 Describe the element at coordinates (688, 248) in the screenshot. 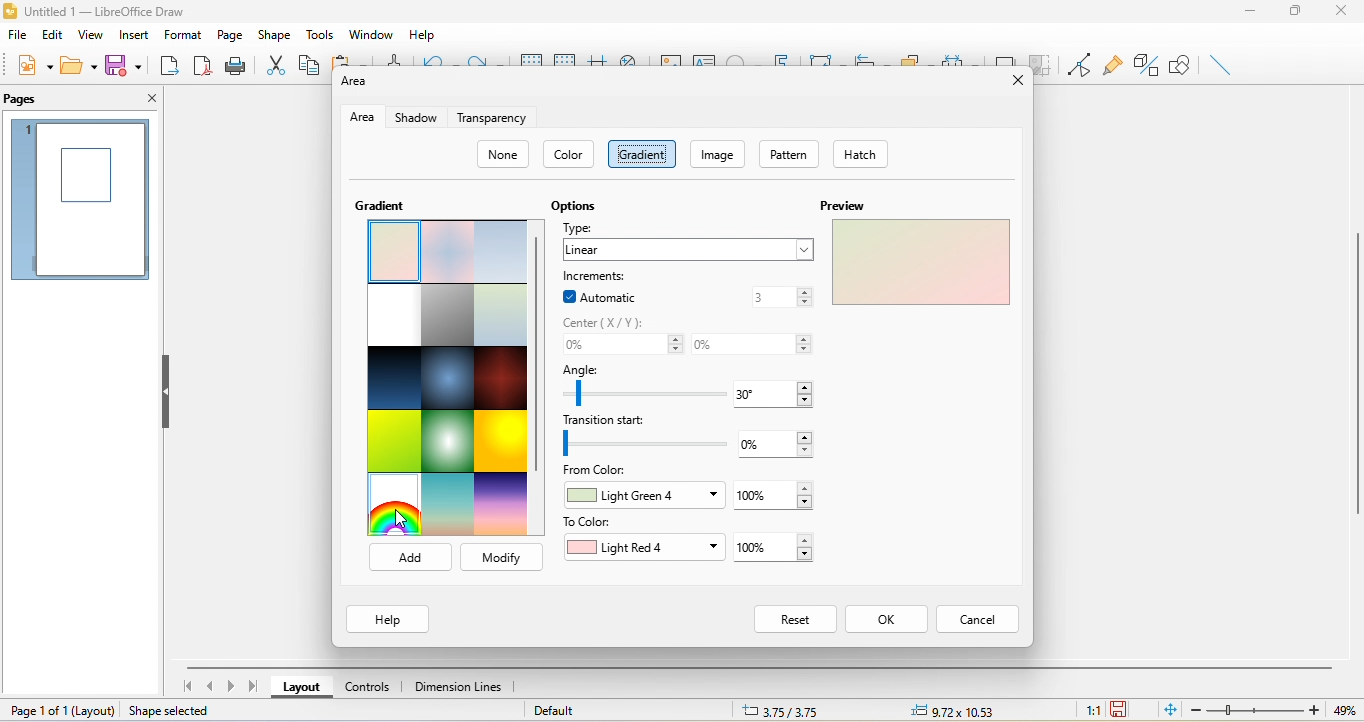

I see `linear` at that location.